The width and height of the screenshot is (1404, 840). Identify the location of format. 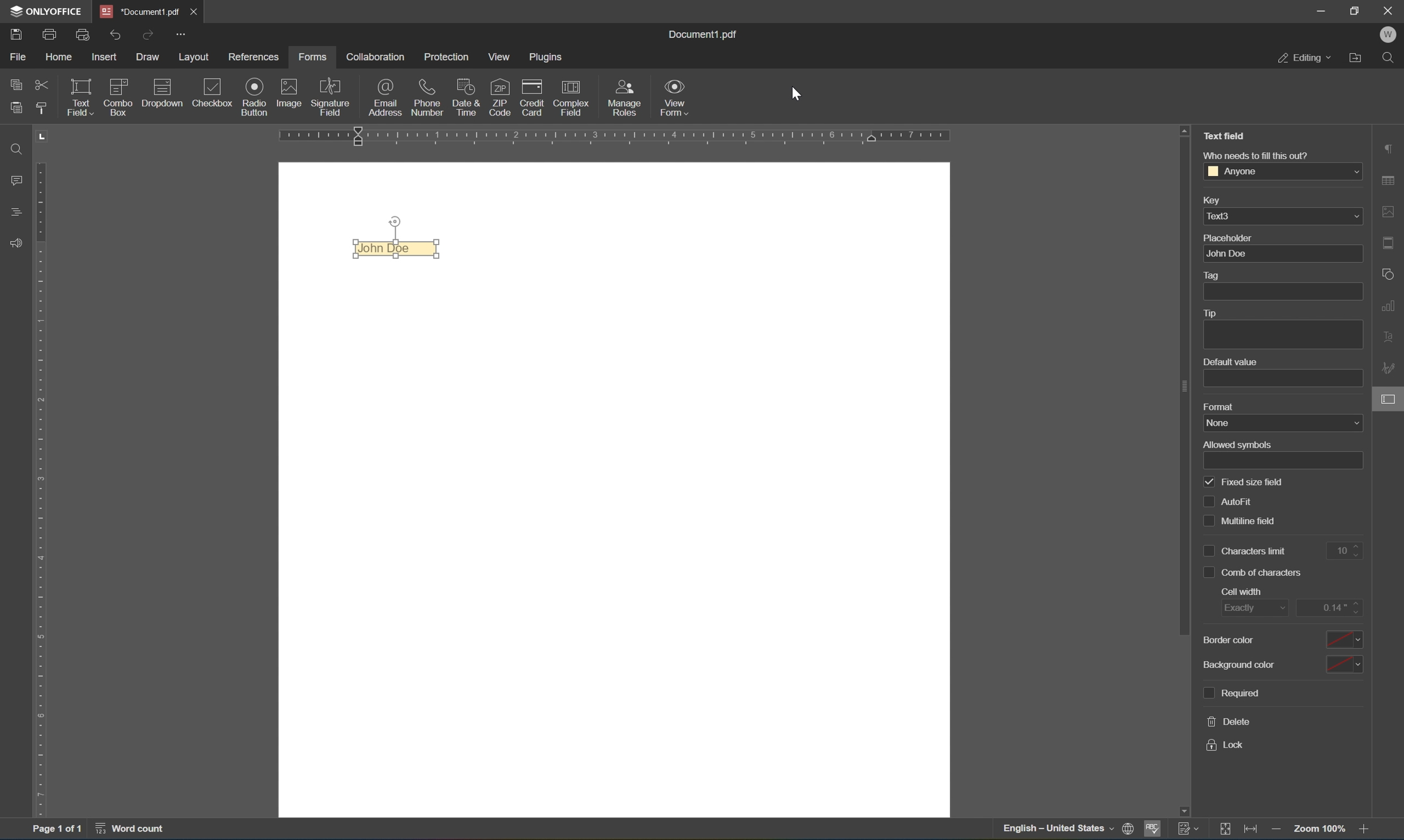
(1223, 407).